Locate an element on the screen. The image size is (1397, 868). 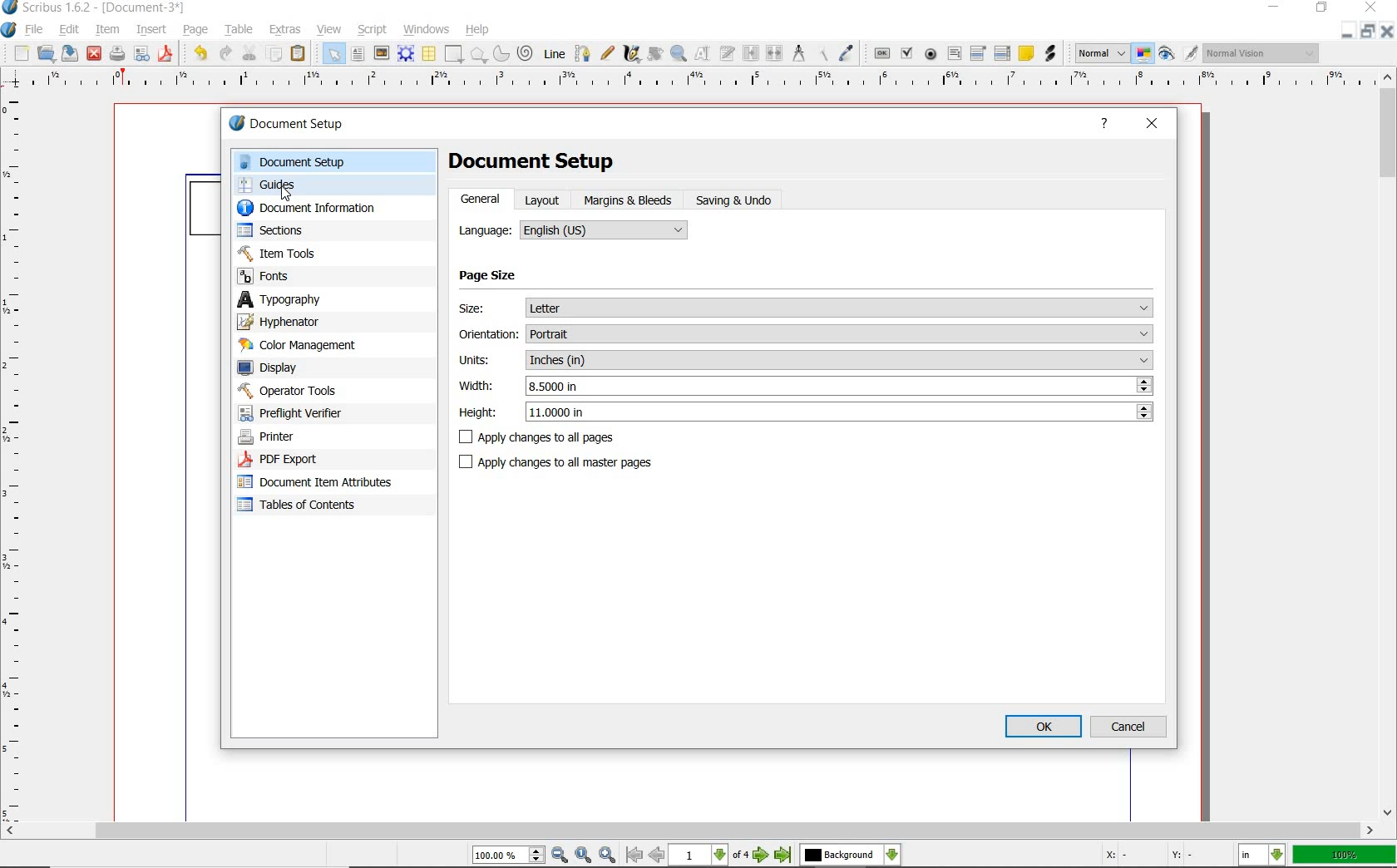
document setup is located at coordinates (546, 162).